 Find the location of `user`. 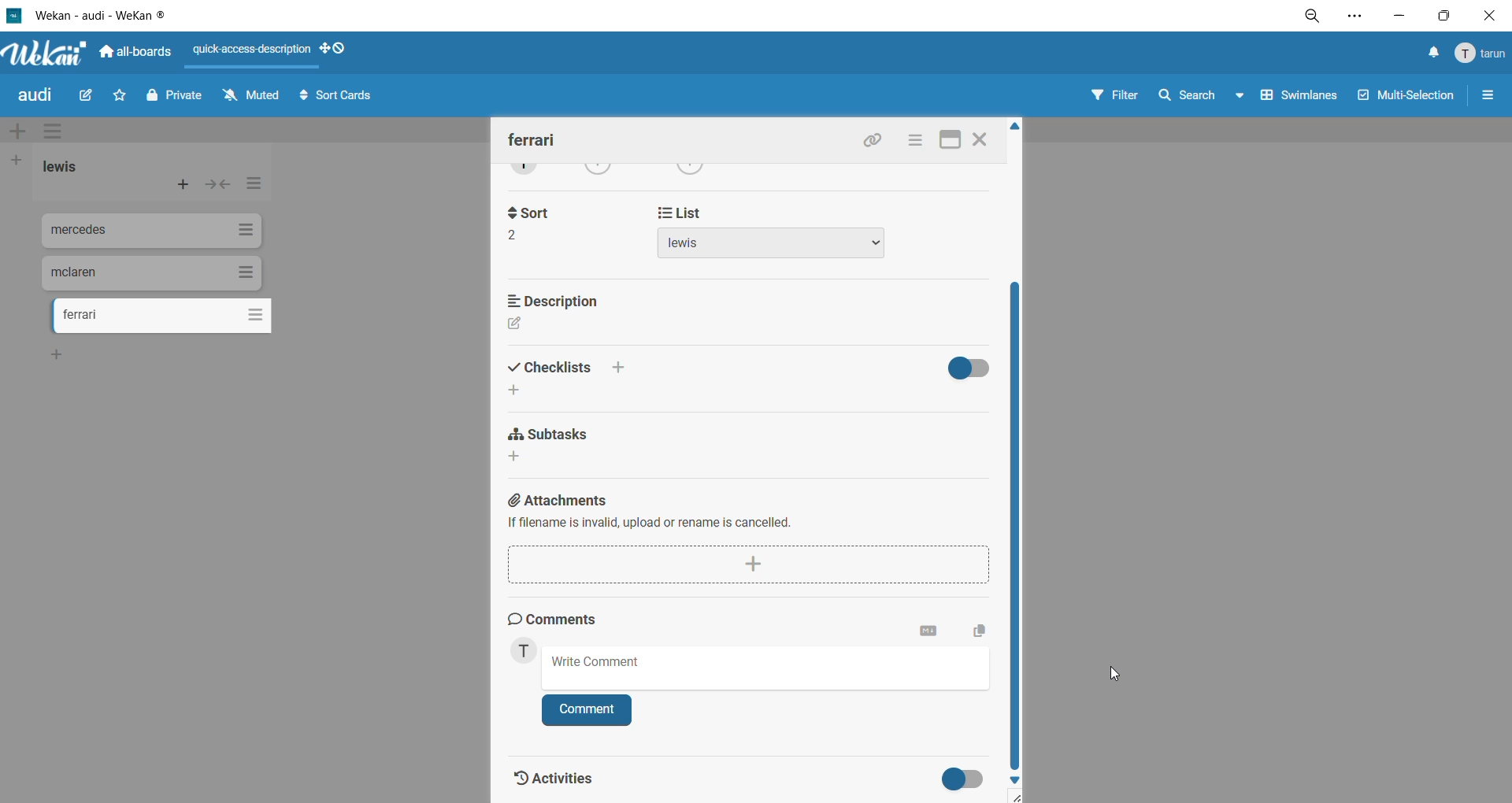

user is located at coordinates (528, 653).